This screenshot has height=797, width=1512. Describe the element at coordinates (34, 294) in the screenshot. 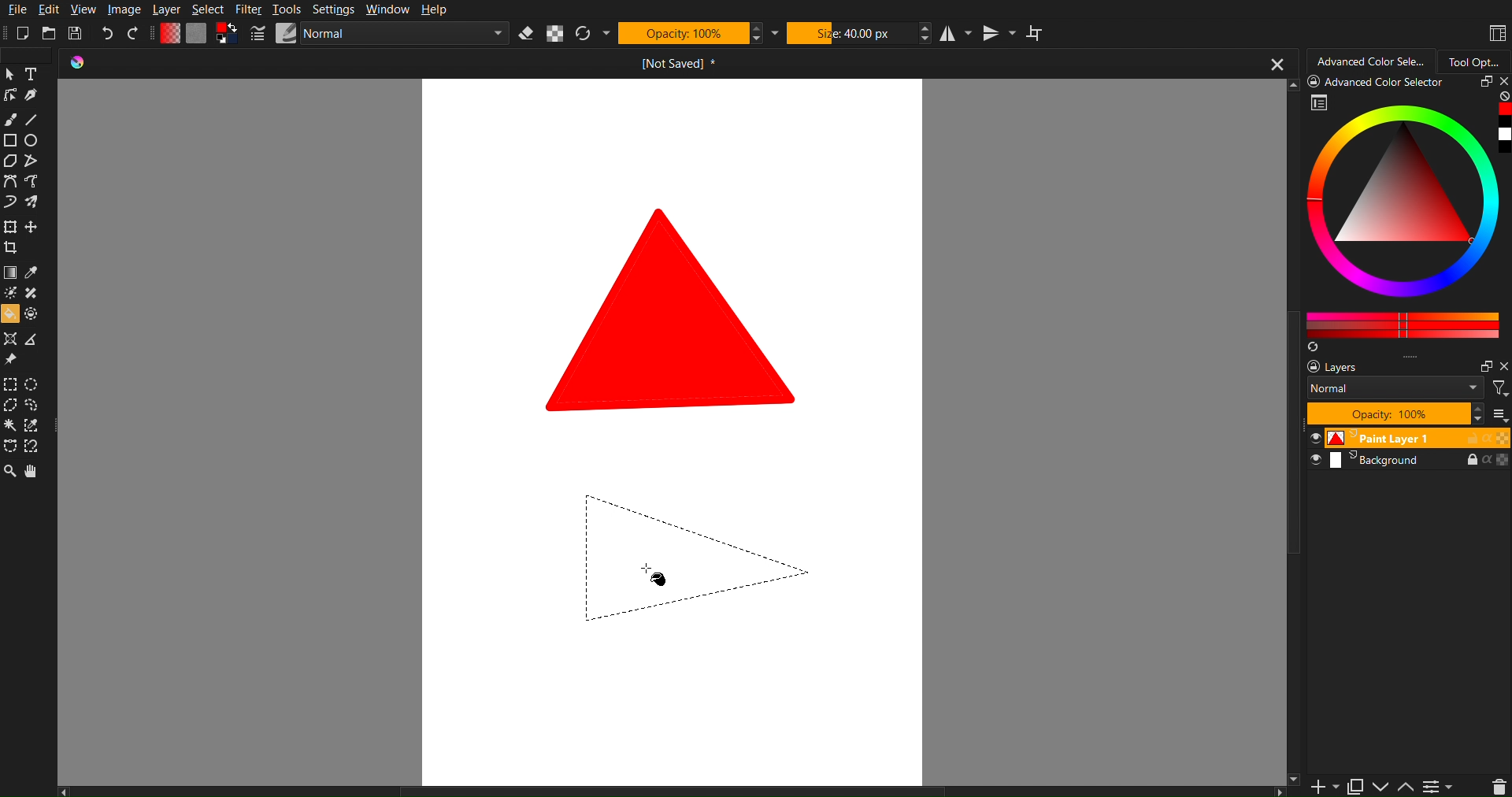

I see `tool` at that location.